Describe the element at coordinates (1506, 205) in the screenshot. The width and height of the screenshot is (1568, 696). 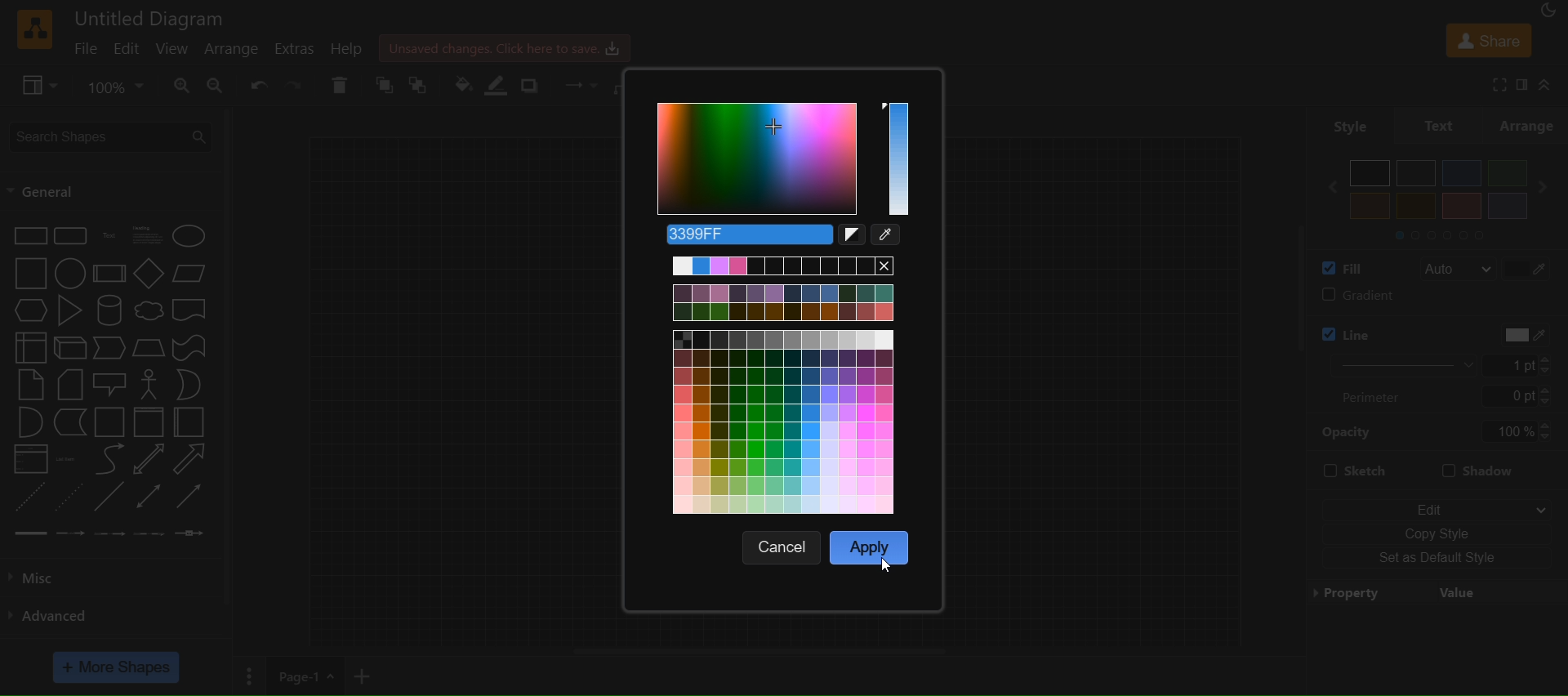
I see `purple color` at that location.